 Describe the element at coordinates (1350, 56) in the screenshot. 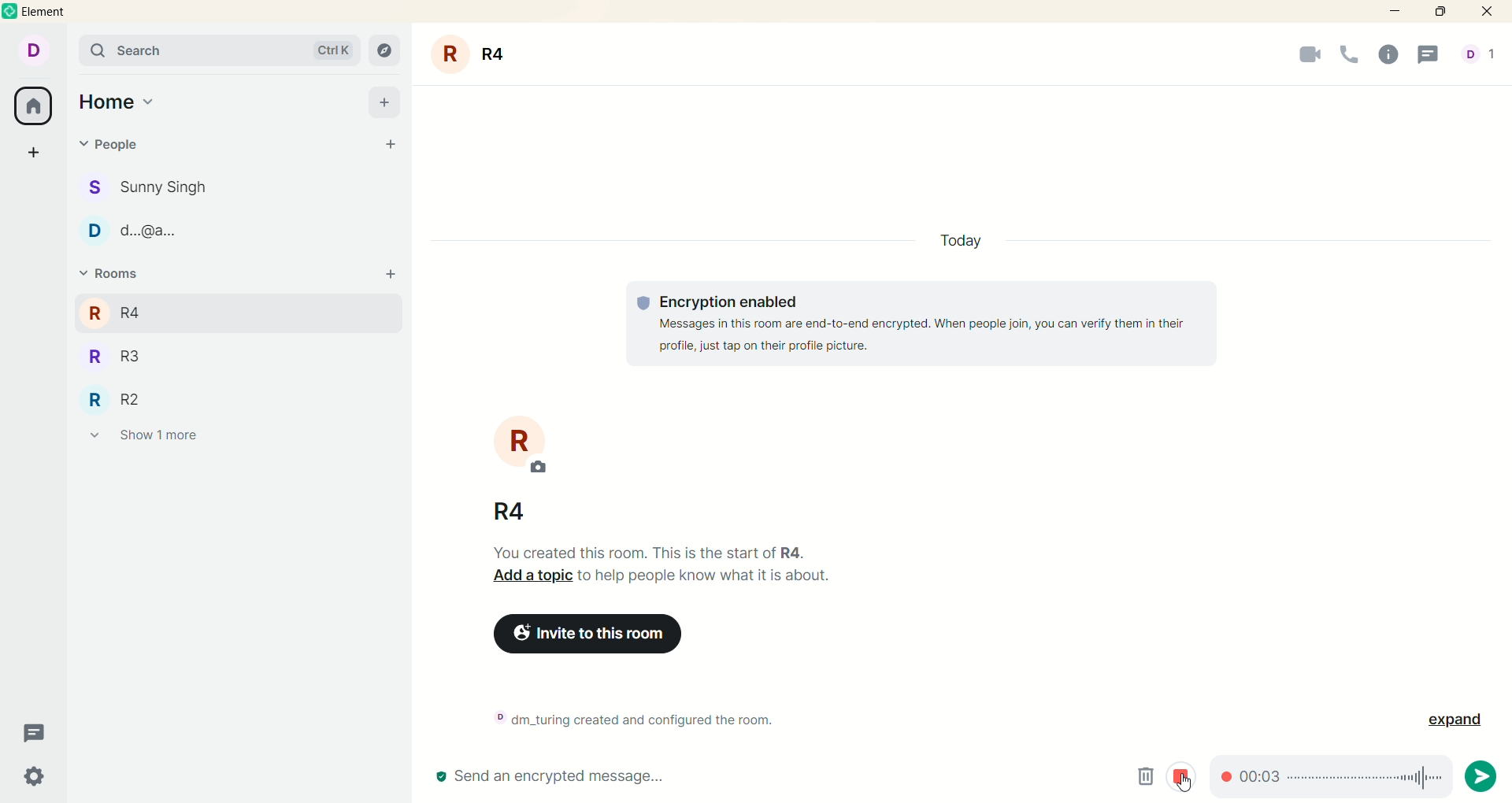

I see `voice call` at that location.